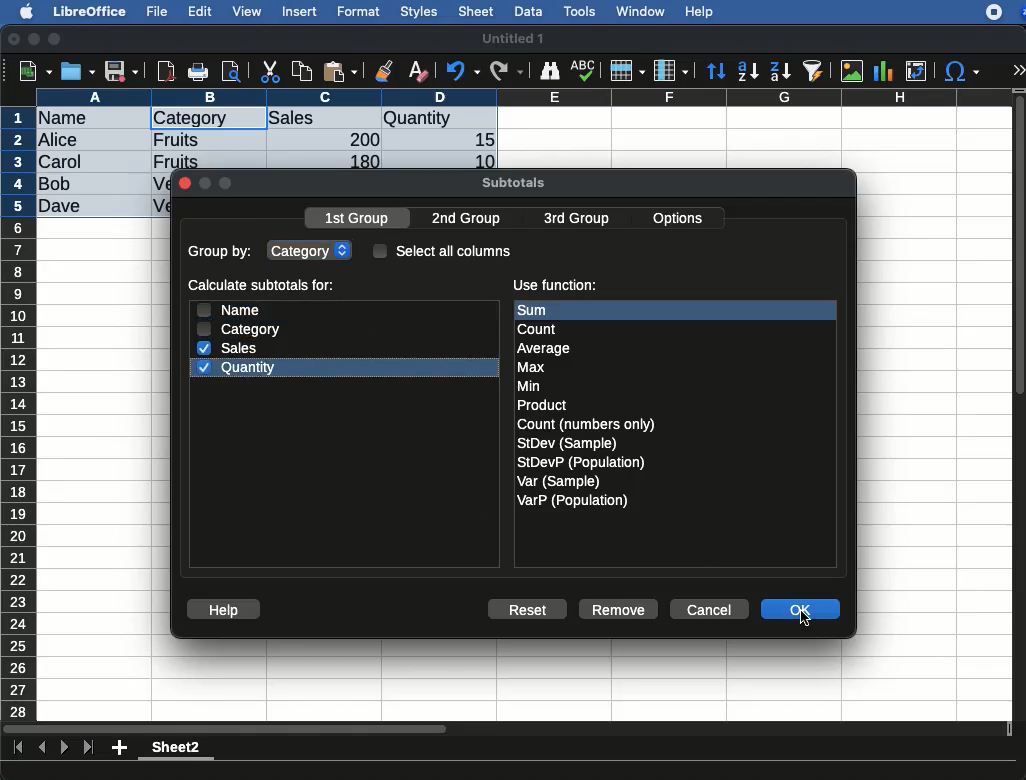  I want to click on Alice, so click(60, 141).